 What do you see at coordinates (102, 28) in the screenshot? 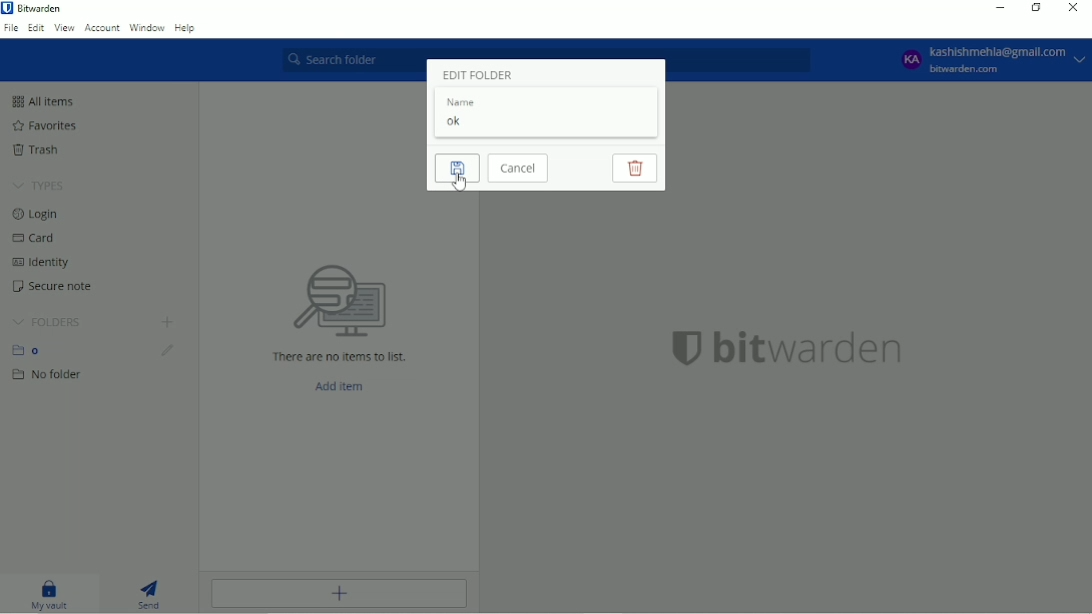
I see `Account` at bounding box center [102, 28].